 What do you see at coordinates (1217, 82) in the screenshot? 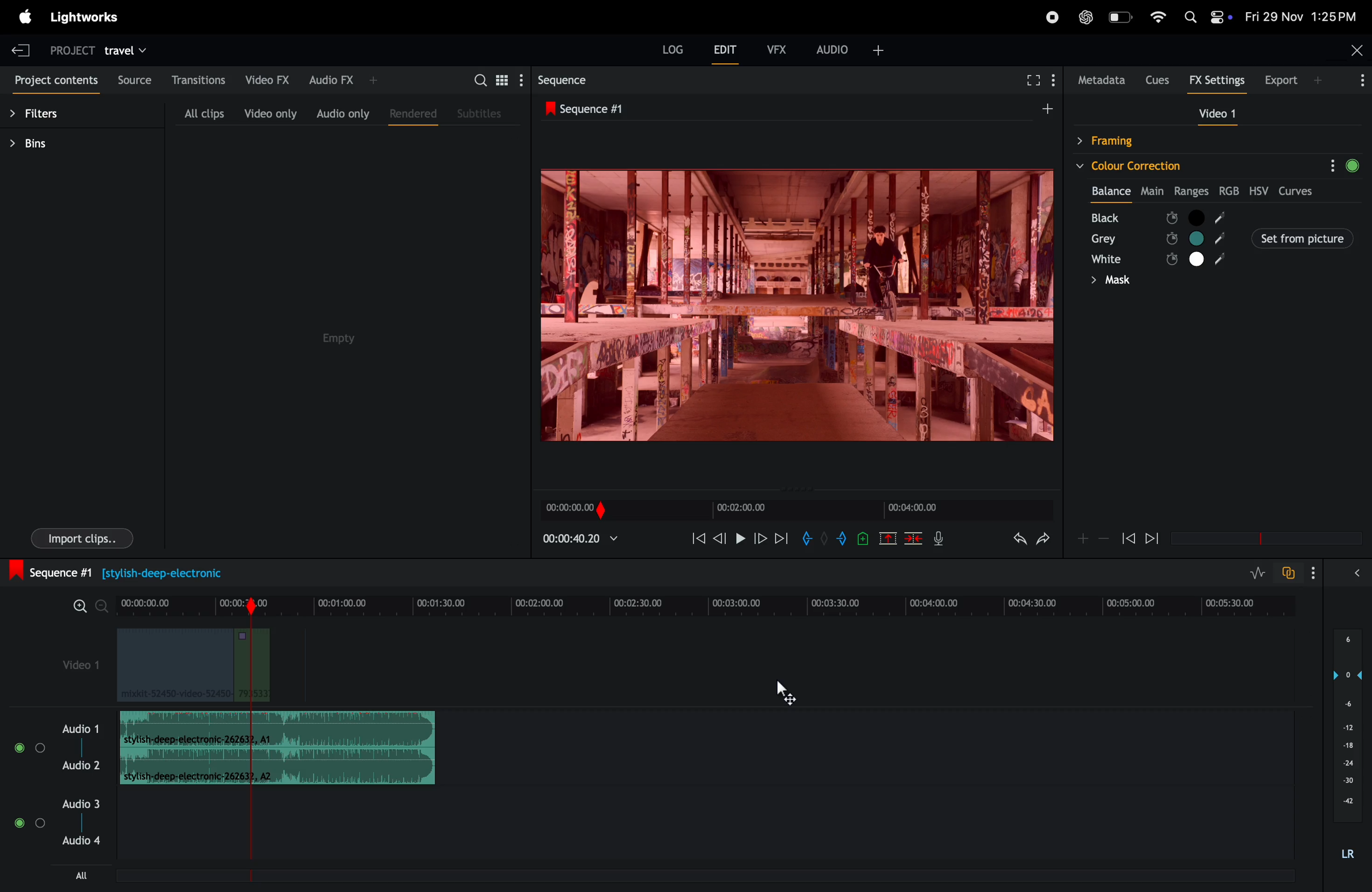
I see `Fx settings` at bounding box center [1217, 82].